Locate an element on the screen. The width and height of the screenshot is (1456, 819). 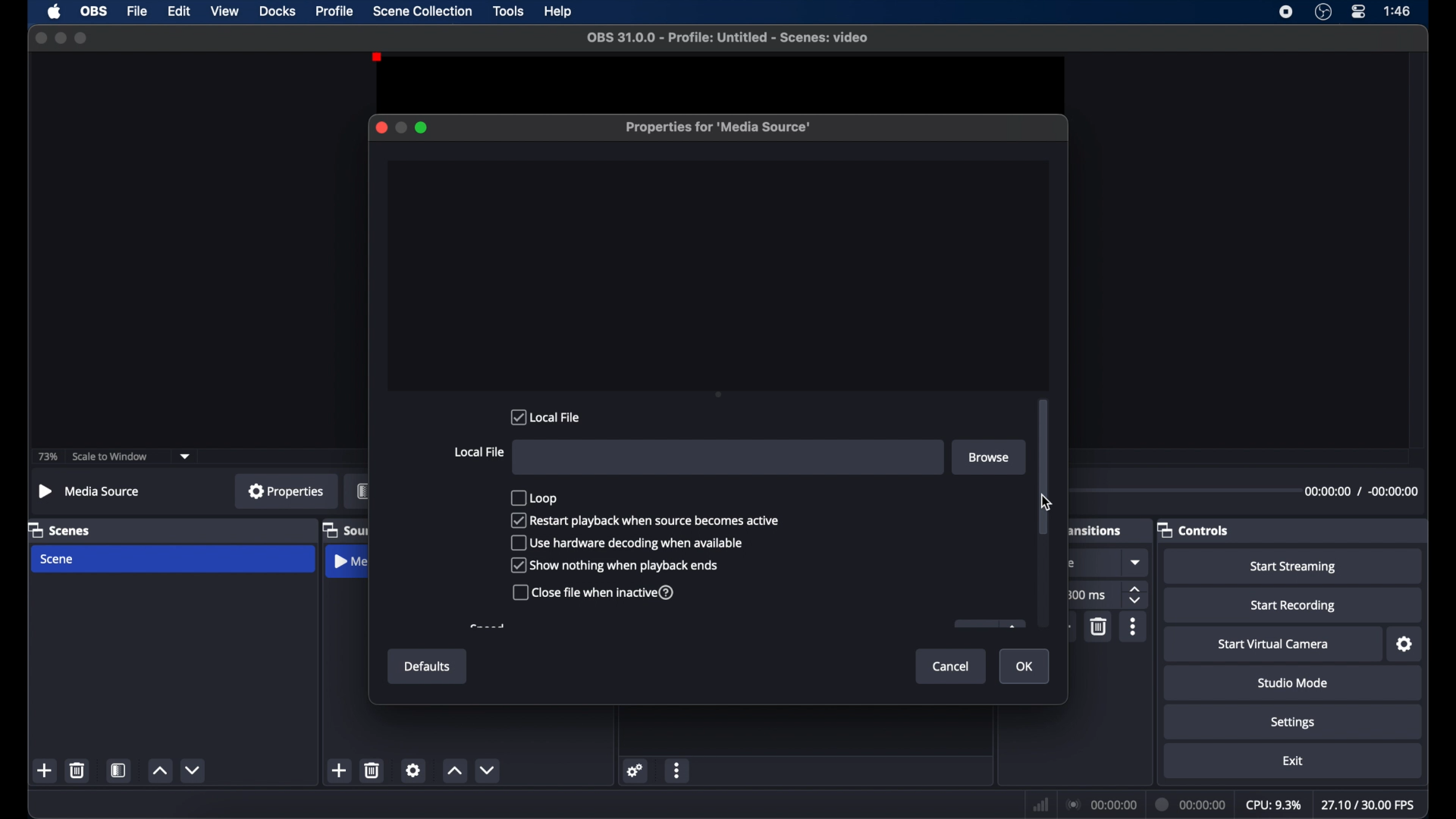
settings is located at coordinates (413, 770).